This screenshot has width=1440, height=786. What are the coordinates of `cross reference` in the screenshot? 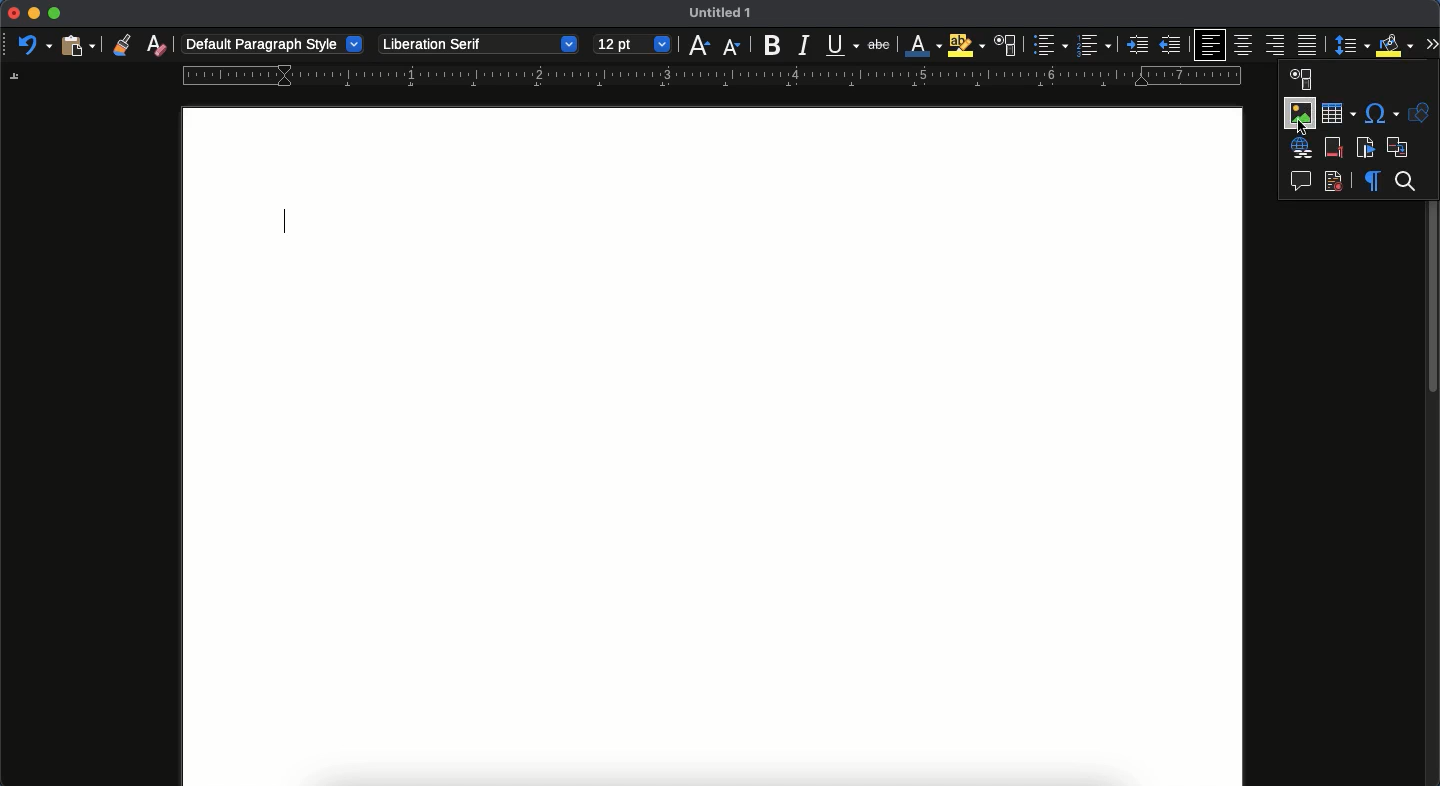 It's located at (1399, 148).